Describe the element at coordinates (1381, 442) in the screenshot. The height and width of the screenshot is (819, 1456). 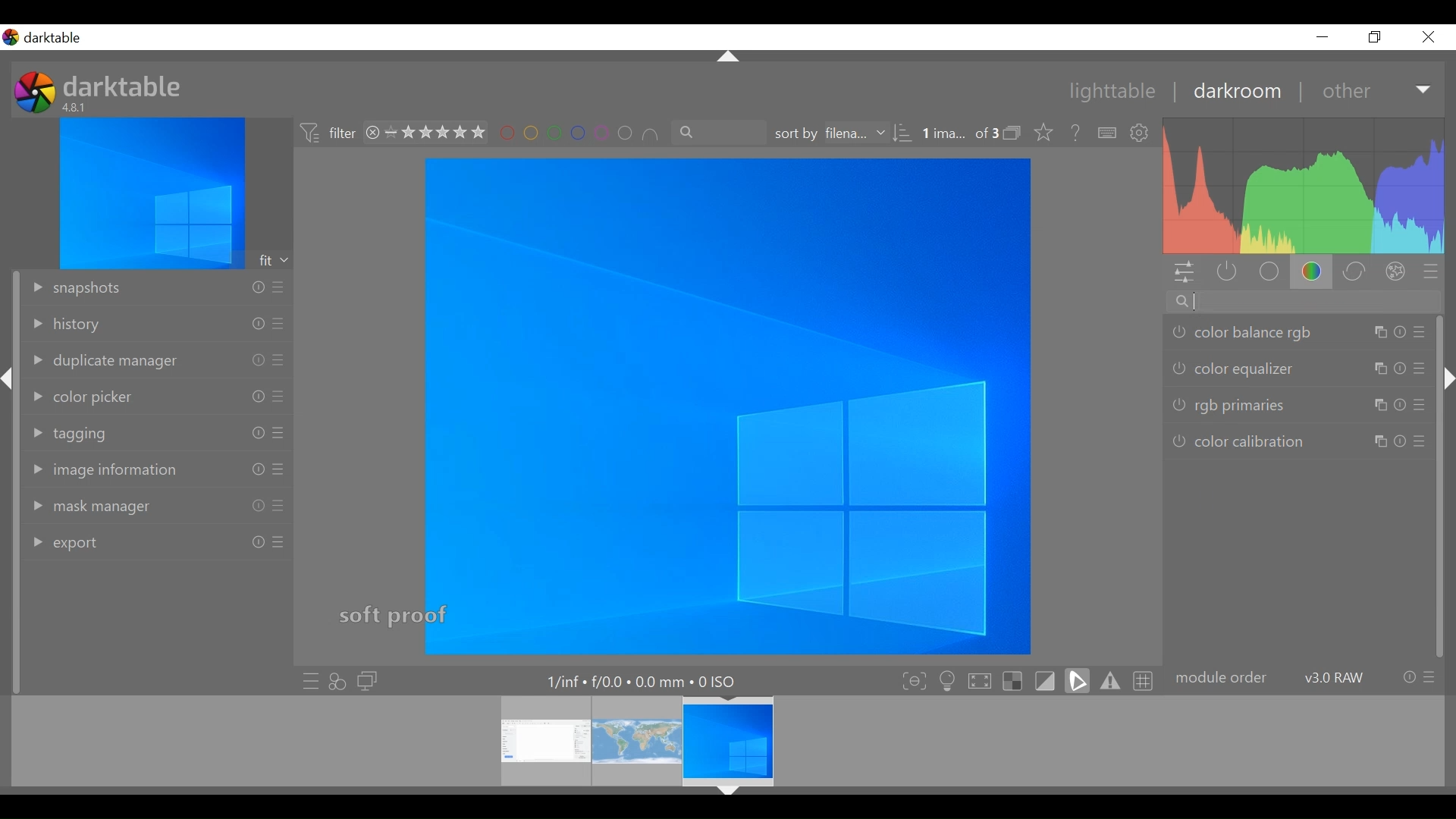
I see `` at that location.